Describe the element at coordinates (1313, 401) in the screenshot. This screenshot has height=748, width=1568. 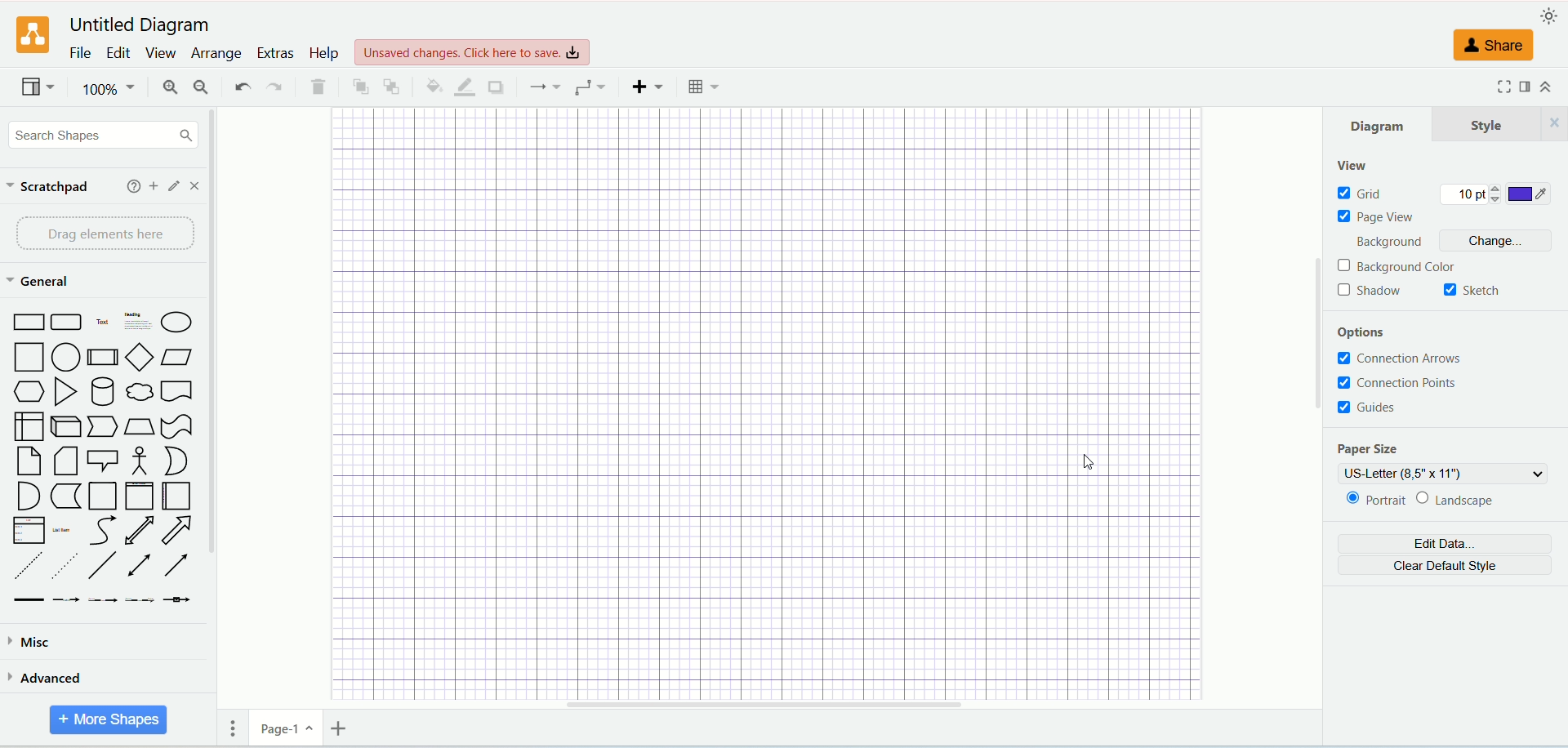
I see `Vertical Scroll Bar` at that location.